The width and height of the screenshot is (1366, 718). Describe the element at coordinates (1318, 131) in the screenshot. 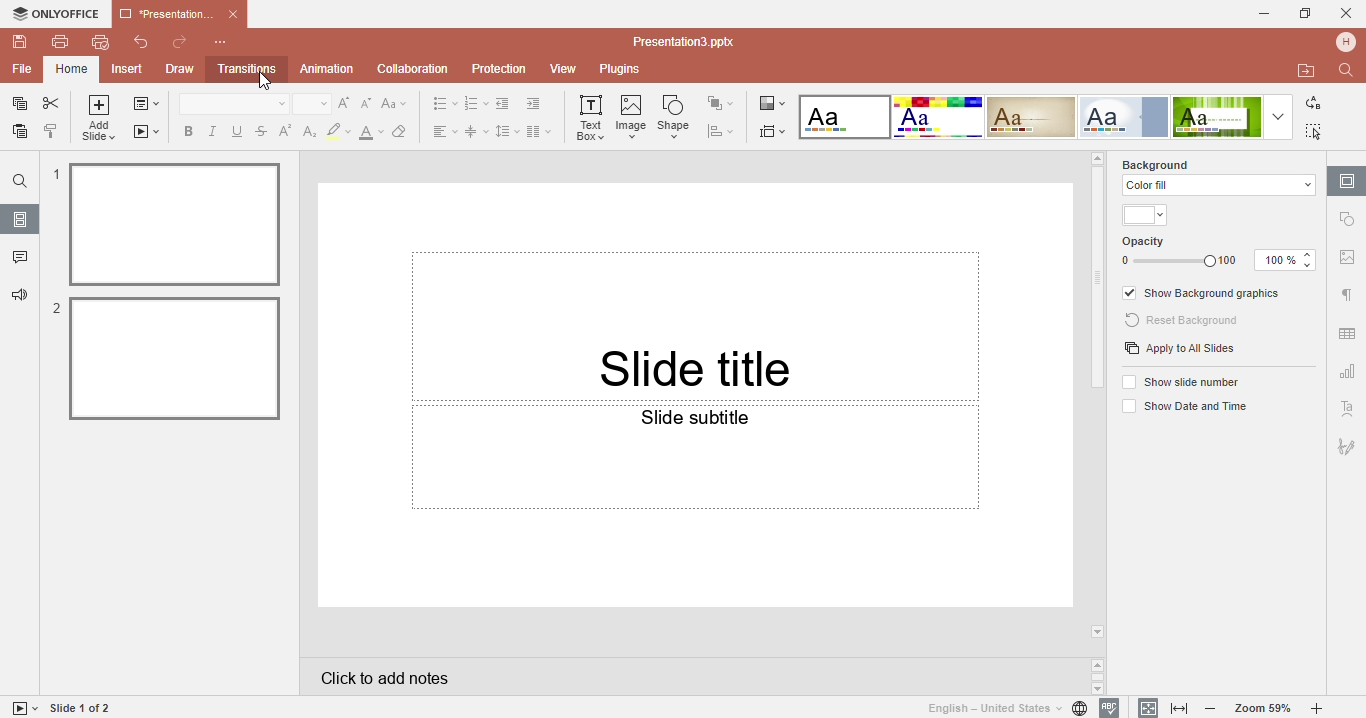

I see `Select all` at that location.